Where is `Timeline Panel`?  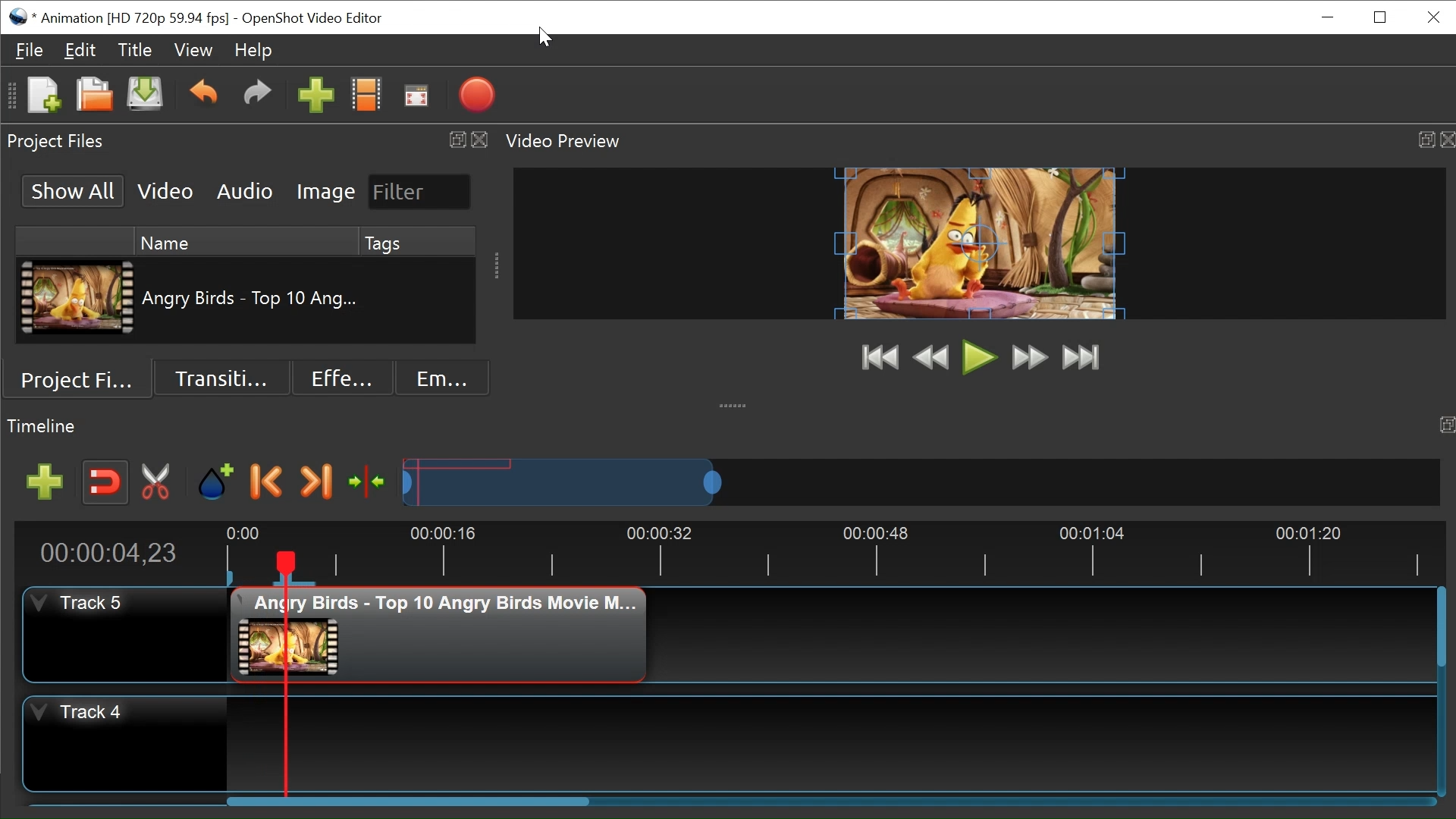 Timeline Panel is located at coordinates (728, 427).